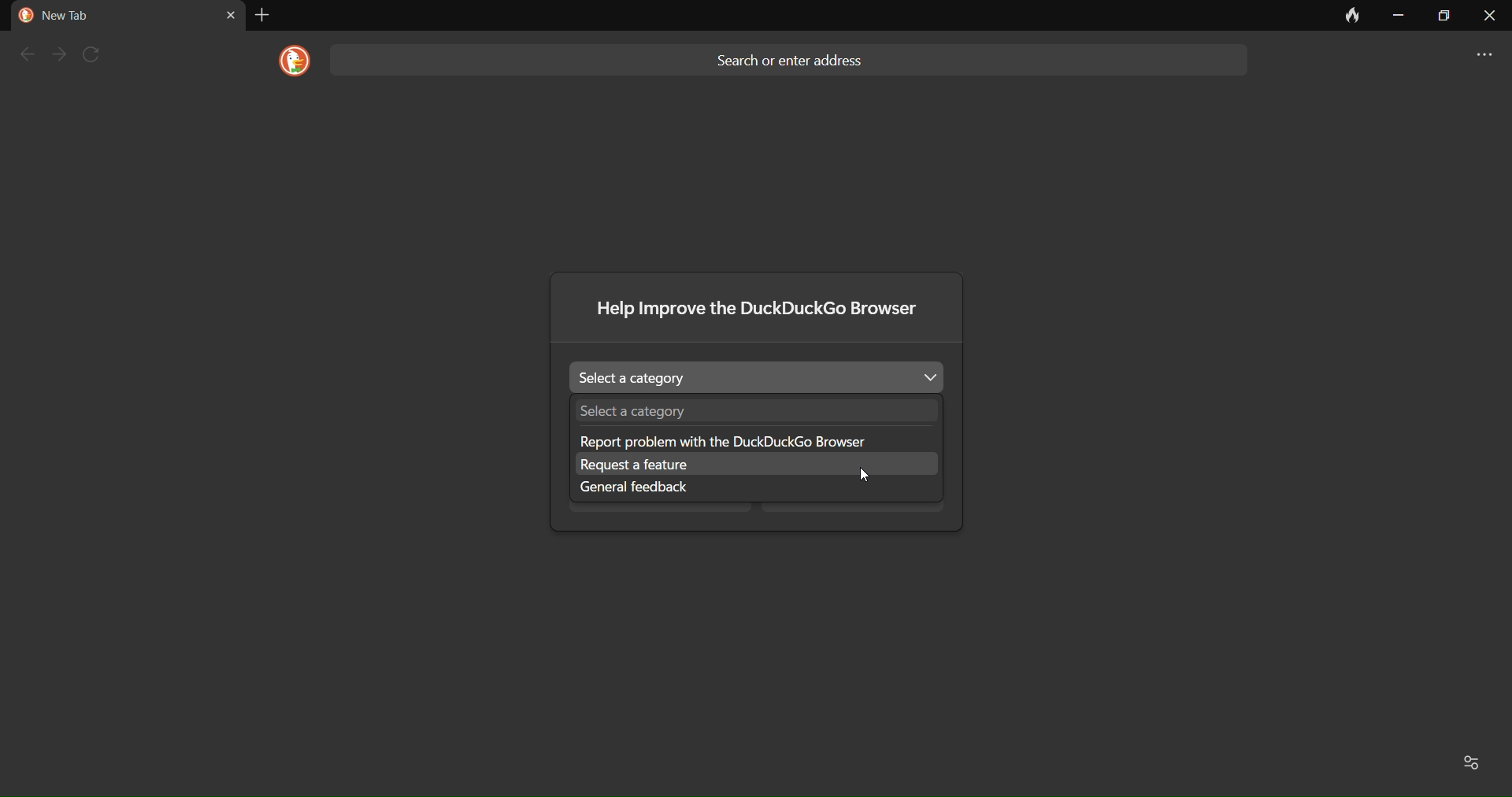 The width and height of the screenshot is (1512, 797). What do you see at coordinates (636, 466) in the screenshot?
I see `request a feature` at bounding box center [636, 466].